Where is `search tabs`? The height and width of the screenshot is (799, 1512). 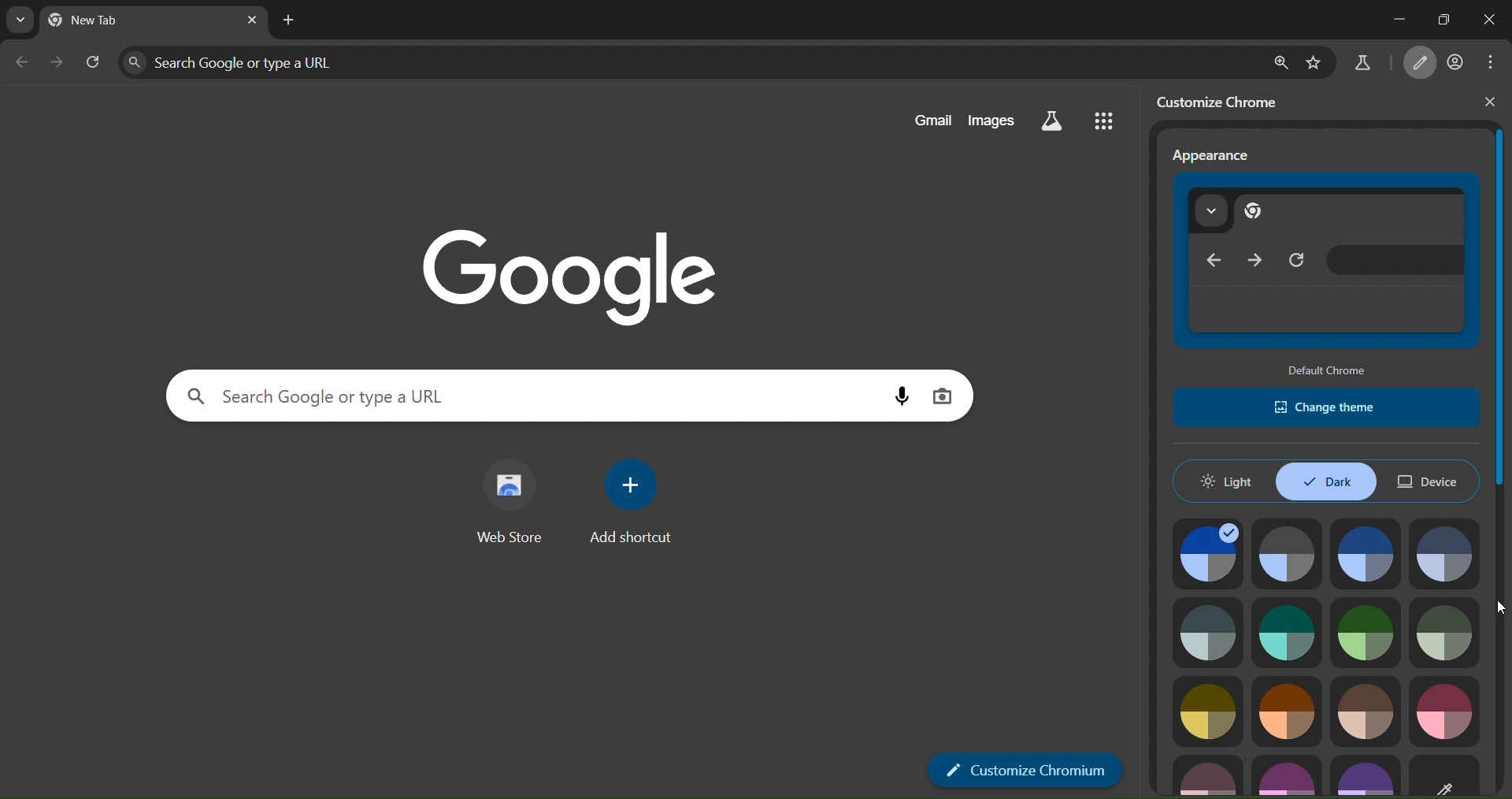 search tabs is located at coordinates (22, 21).